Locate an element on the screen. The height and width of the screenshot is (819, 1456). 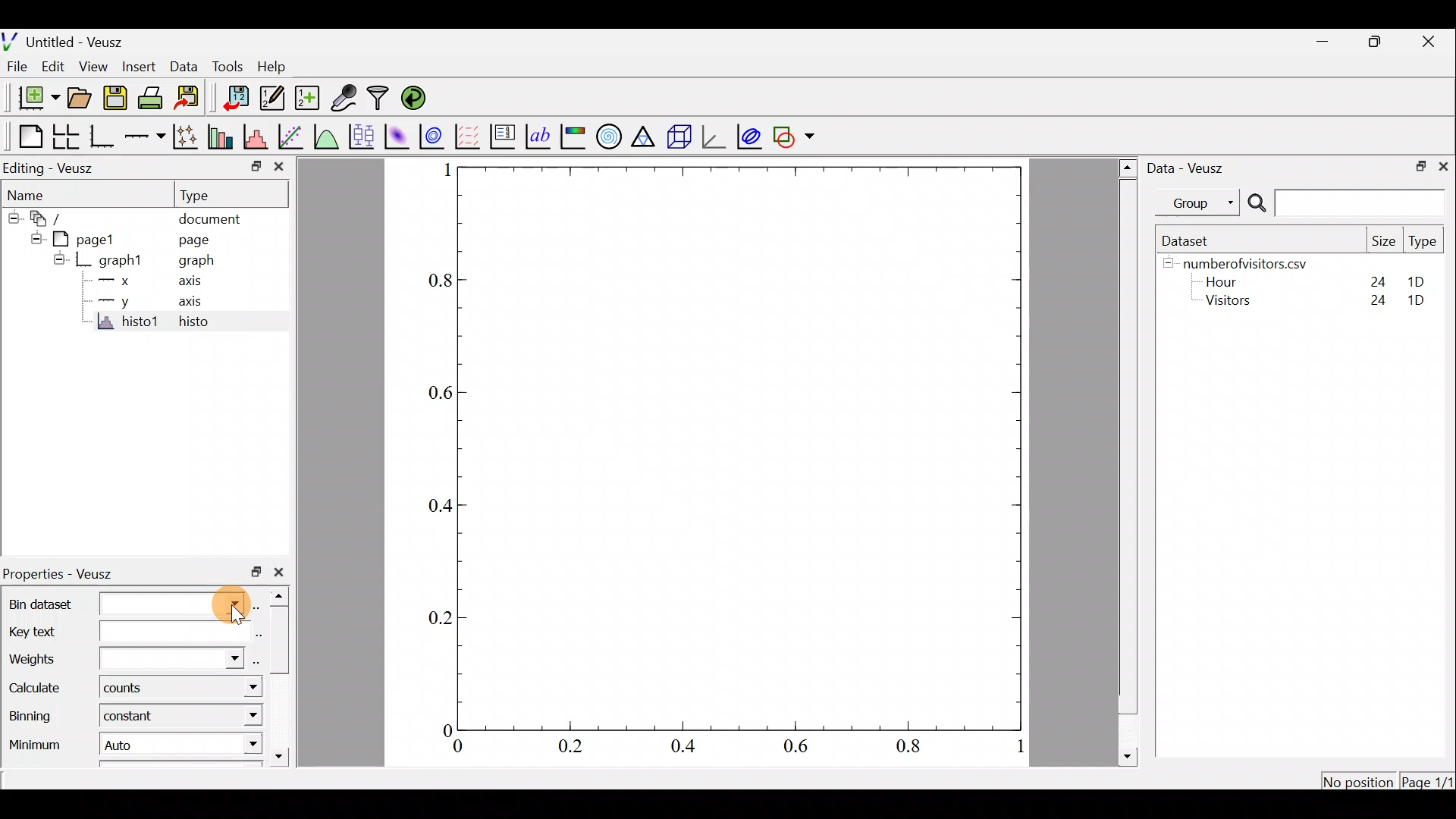
Type is located at coordinates (203, 195).